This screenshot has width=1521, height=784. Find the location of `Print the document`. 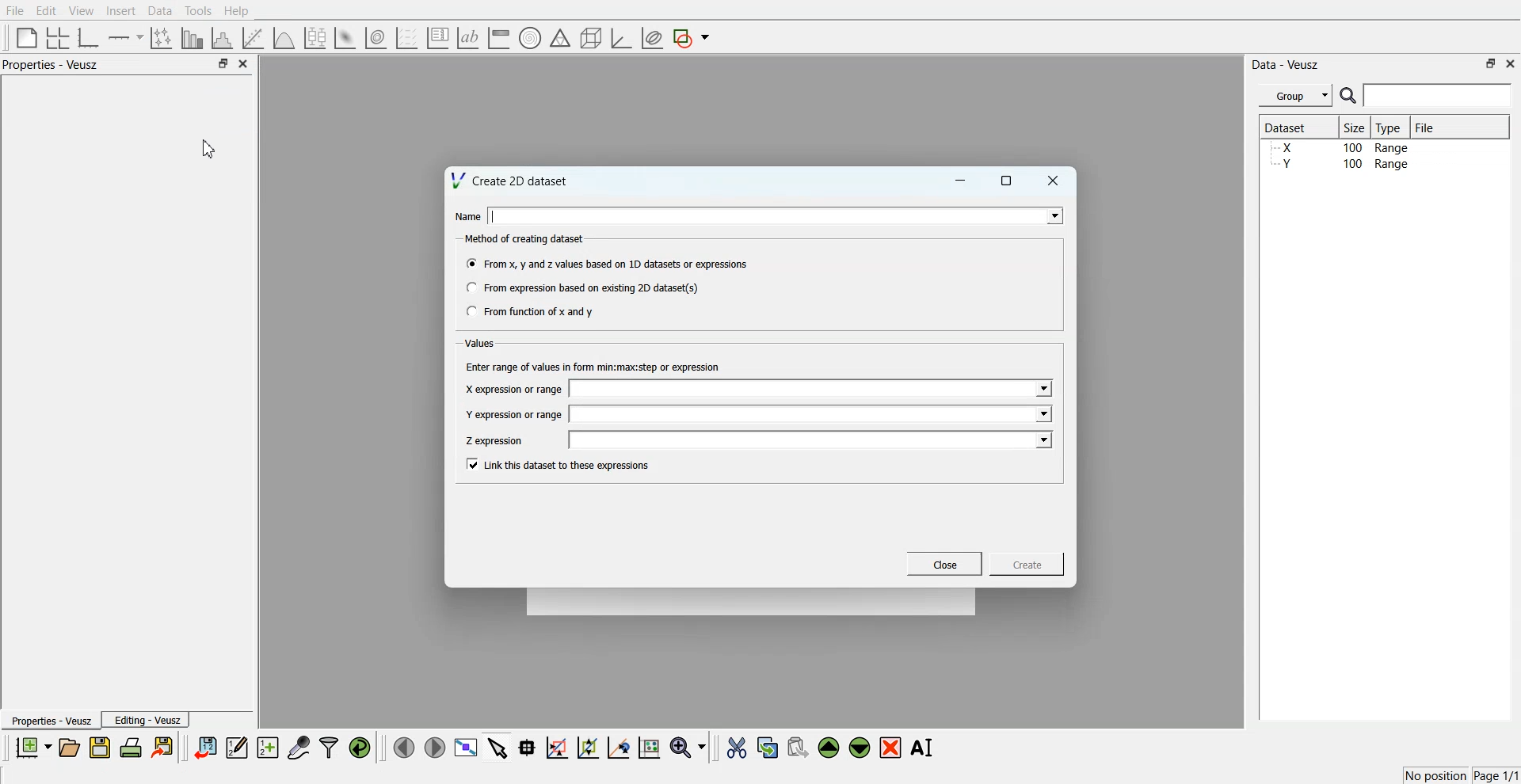

Print the document is located at coordinates (130, 747).